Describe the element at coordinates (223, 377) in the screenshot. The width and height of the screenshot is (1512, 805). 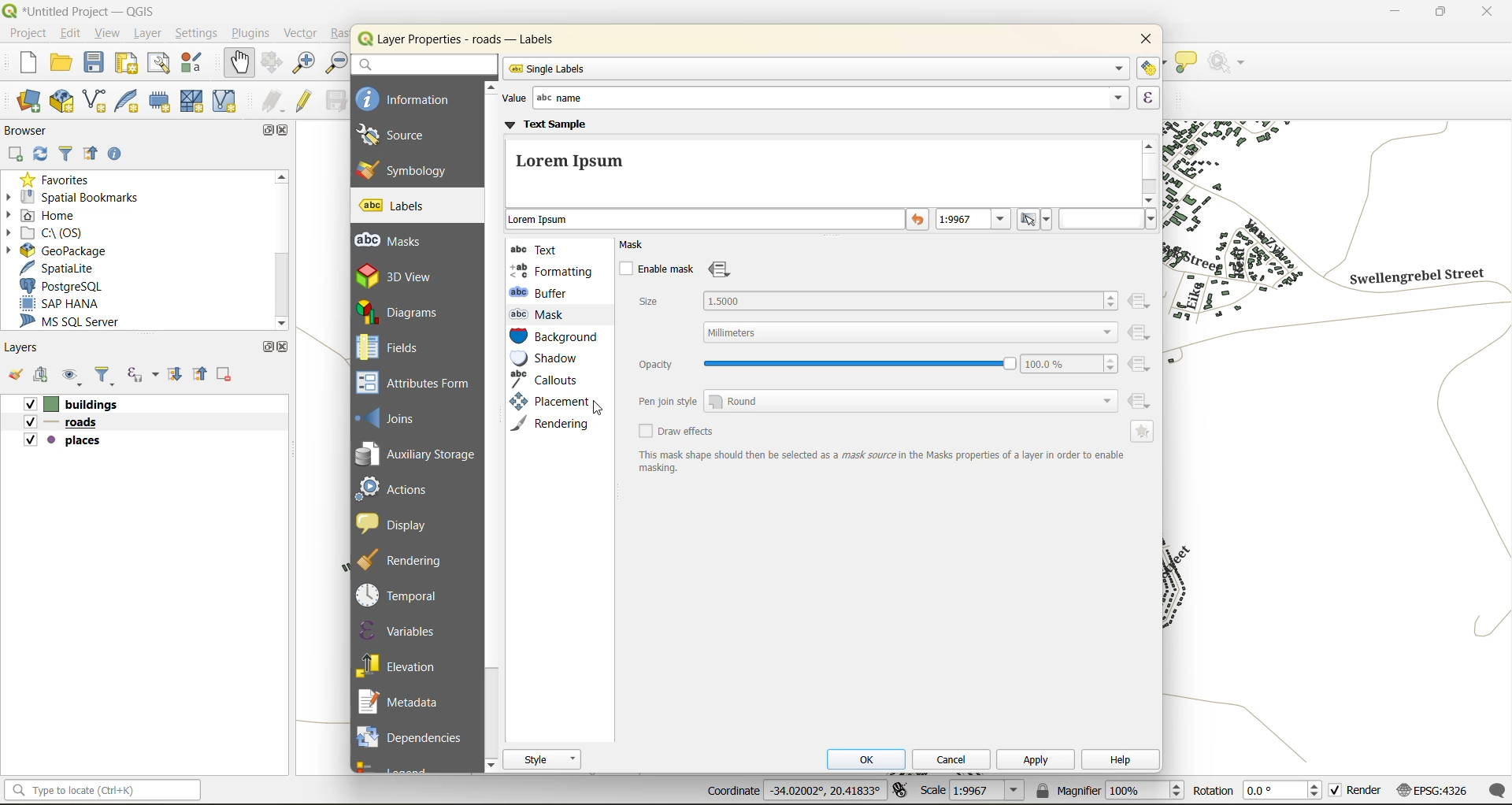
I see `remove` at that location.